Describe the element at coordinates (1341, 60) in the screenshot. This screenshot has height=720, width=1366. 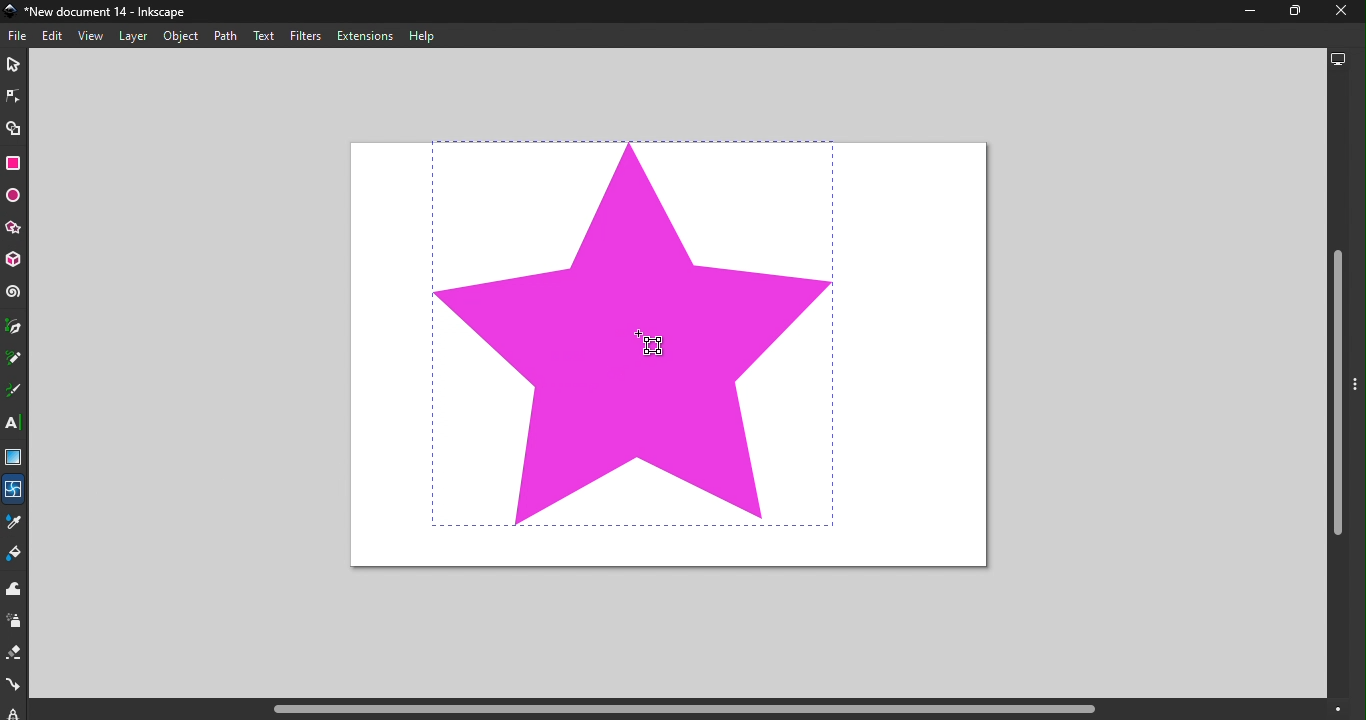
I see `Display options` at that location.